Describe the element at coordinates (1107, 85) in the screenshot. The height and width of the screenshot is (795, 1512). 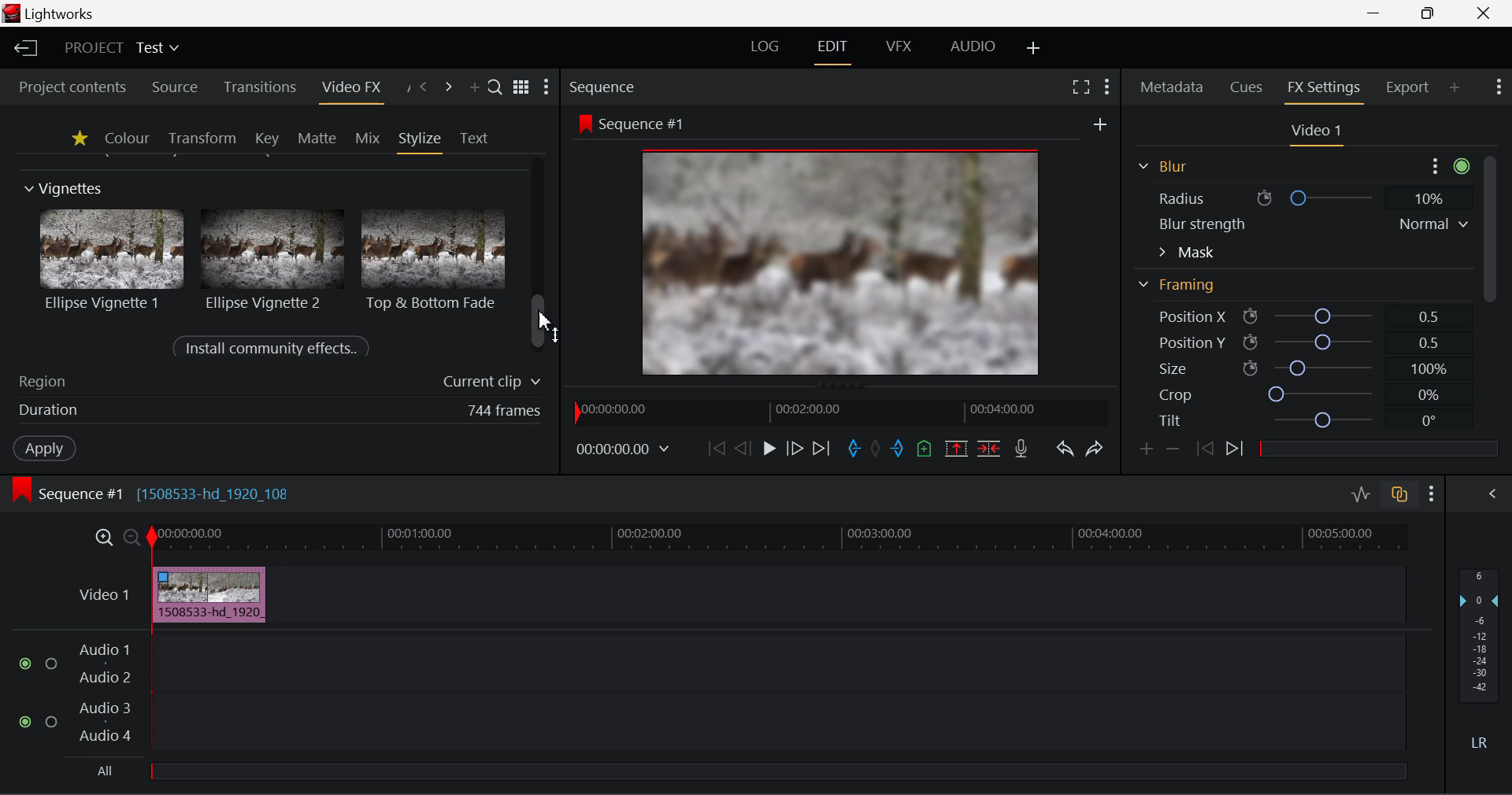
I see `Show Settings` at that location.